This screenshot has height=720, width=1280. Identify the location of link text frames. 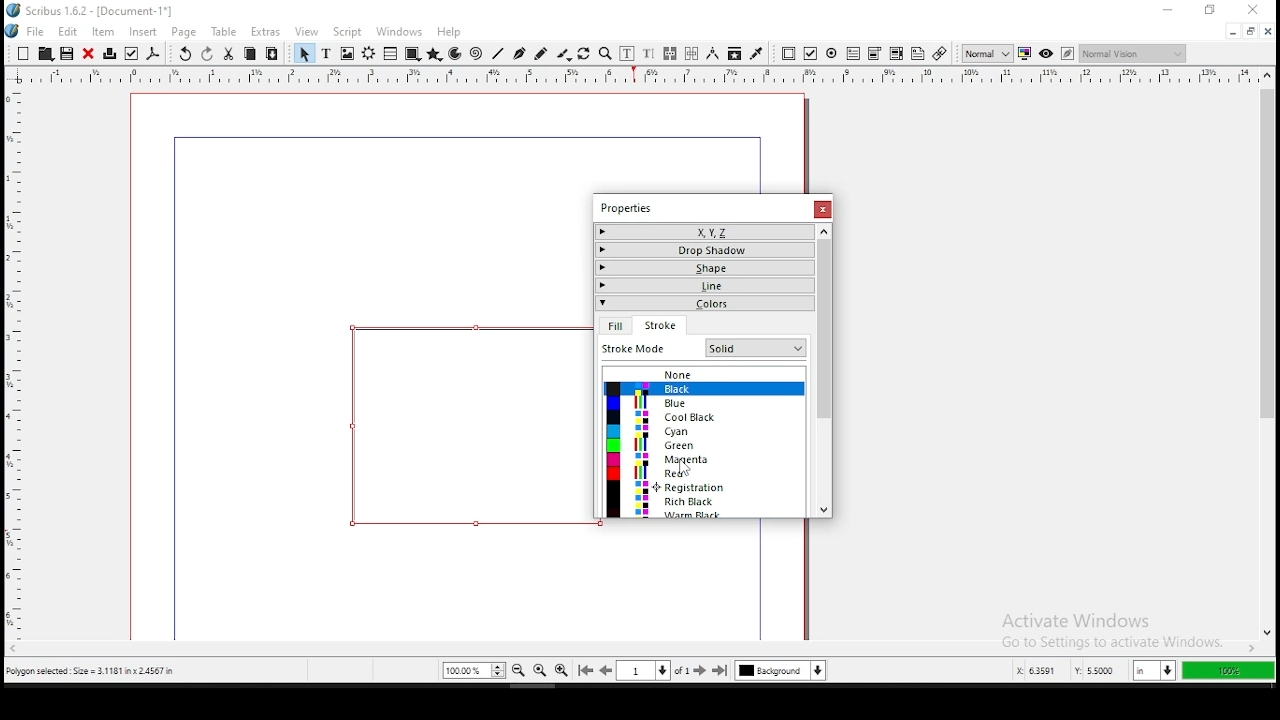
(670, 54).